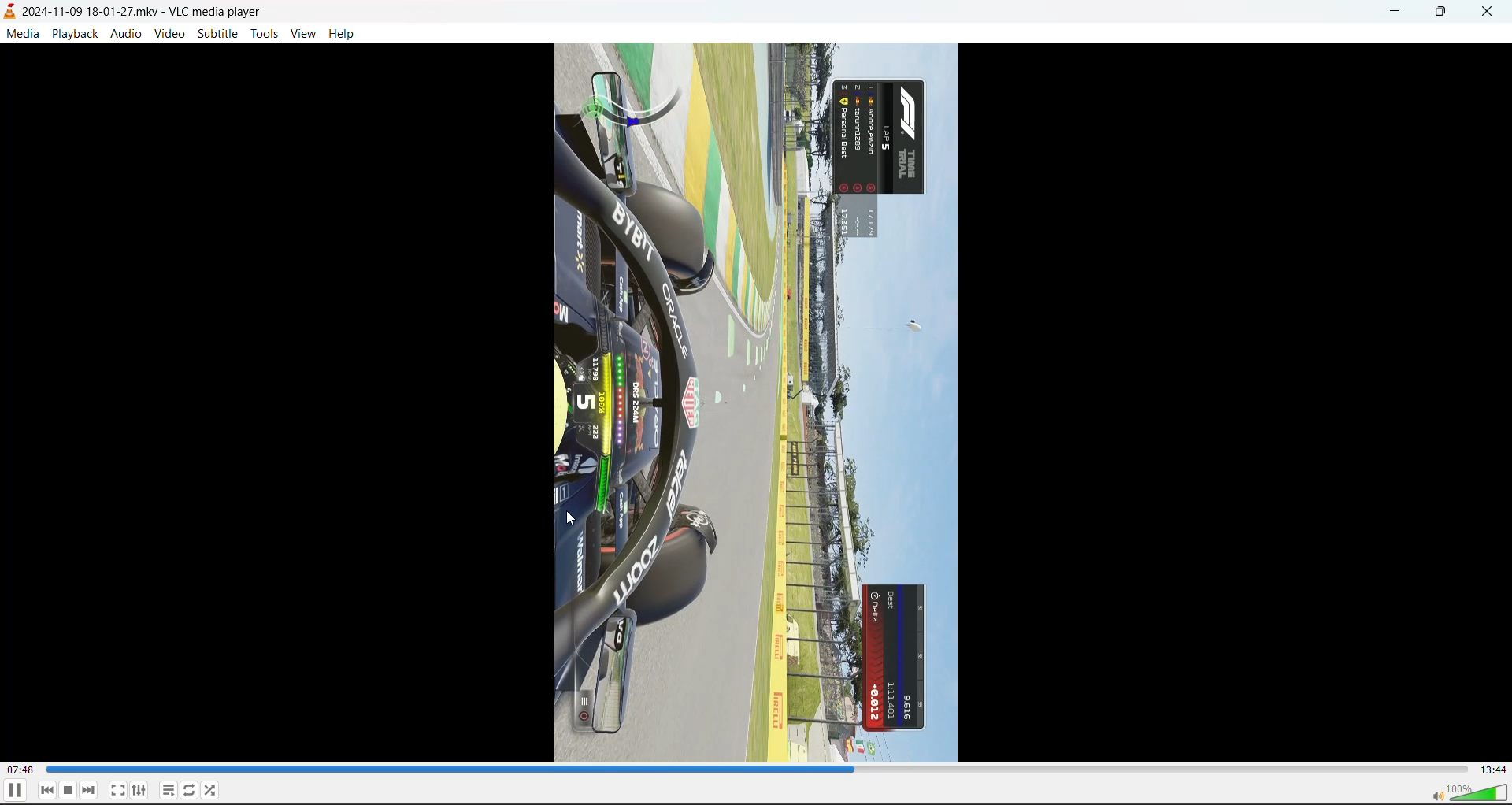  What do you see at coordinates (47, 790) in the screenshot?
I see `previous` at bounding box center [47, 790].